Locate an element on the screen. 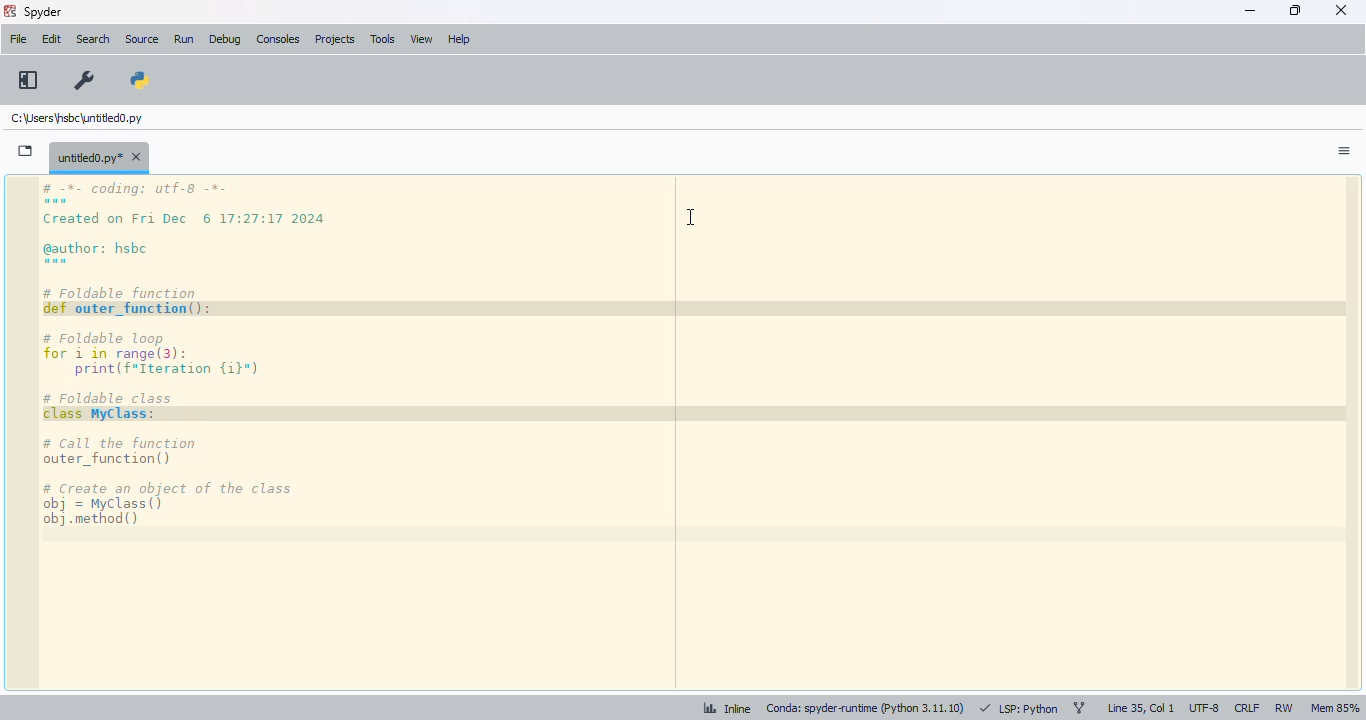 This screenshot has height=720, width=1366. tools is located at coordinates (384, 39).